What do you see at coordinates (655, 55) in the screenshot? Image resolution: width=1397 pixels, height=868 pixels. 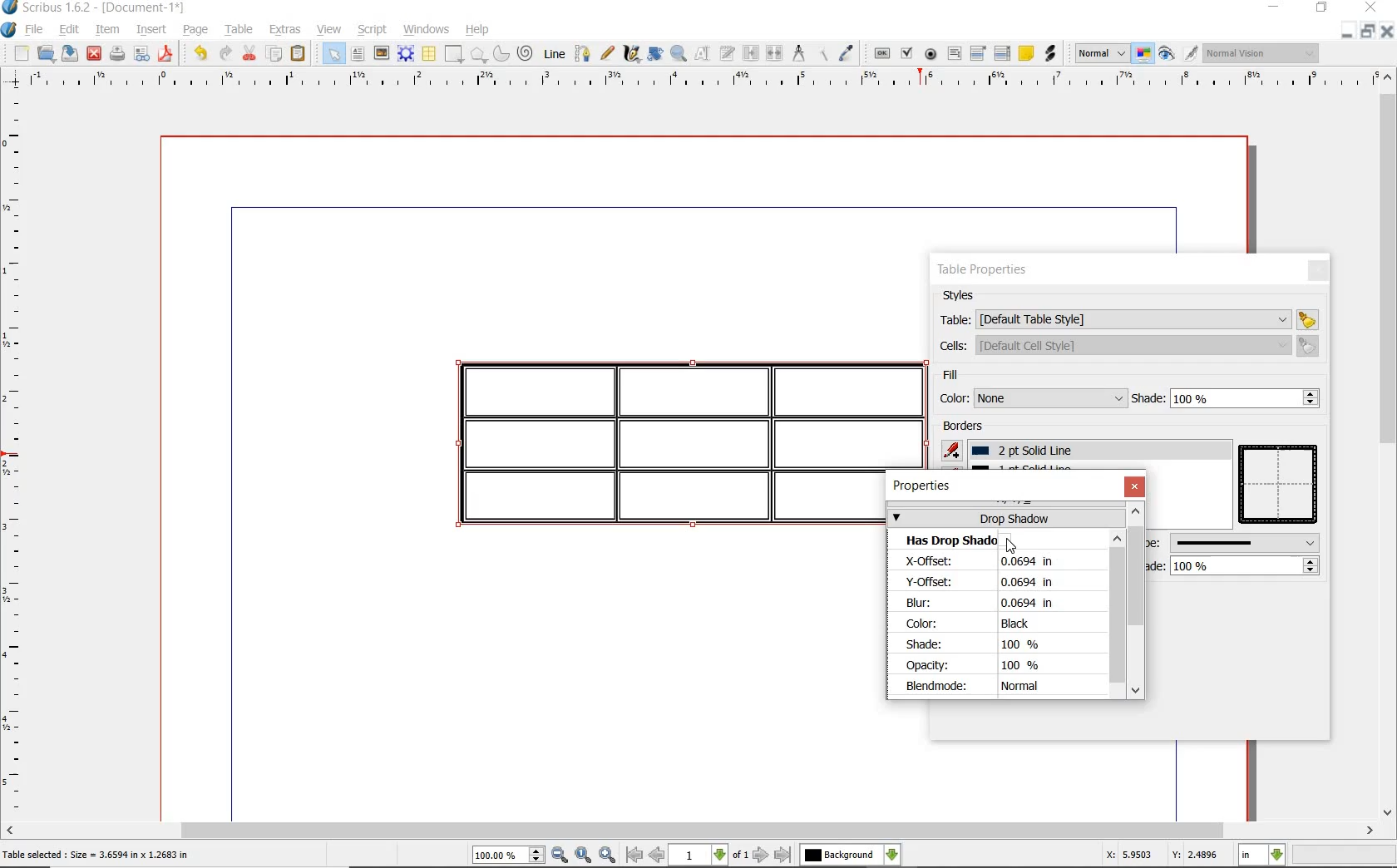 I see `rotate item` at bounding box center [655, 55].